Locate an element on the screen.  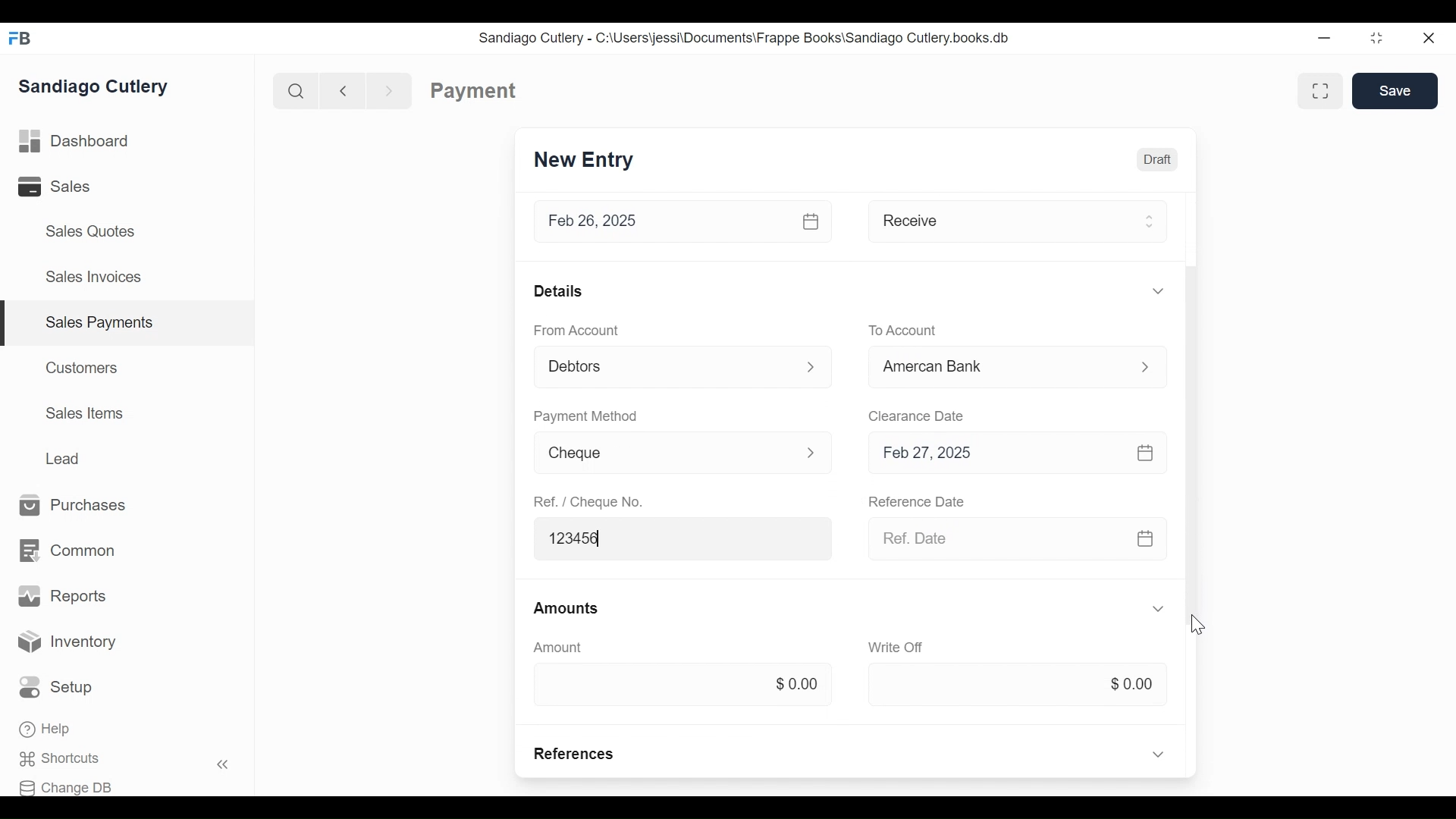
$0.00 is located at coordinates (1017, 685).